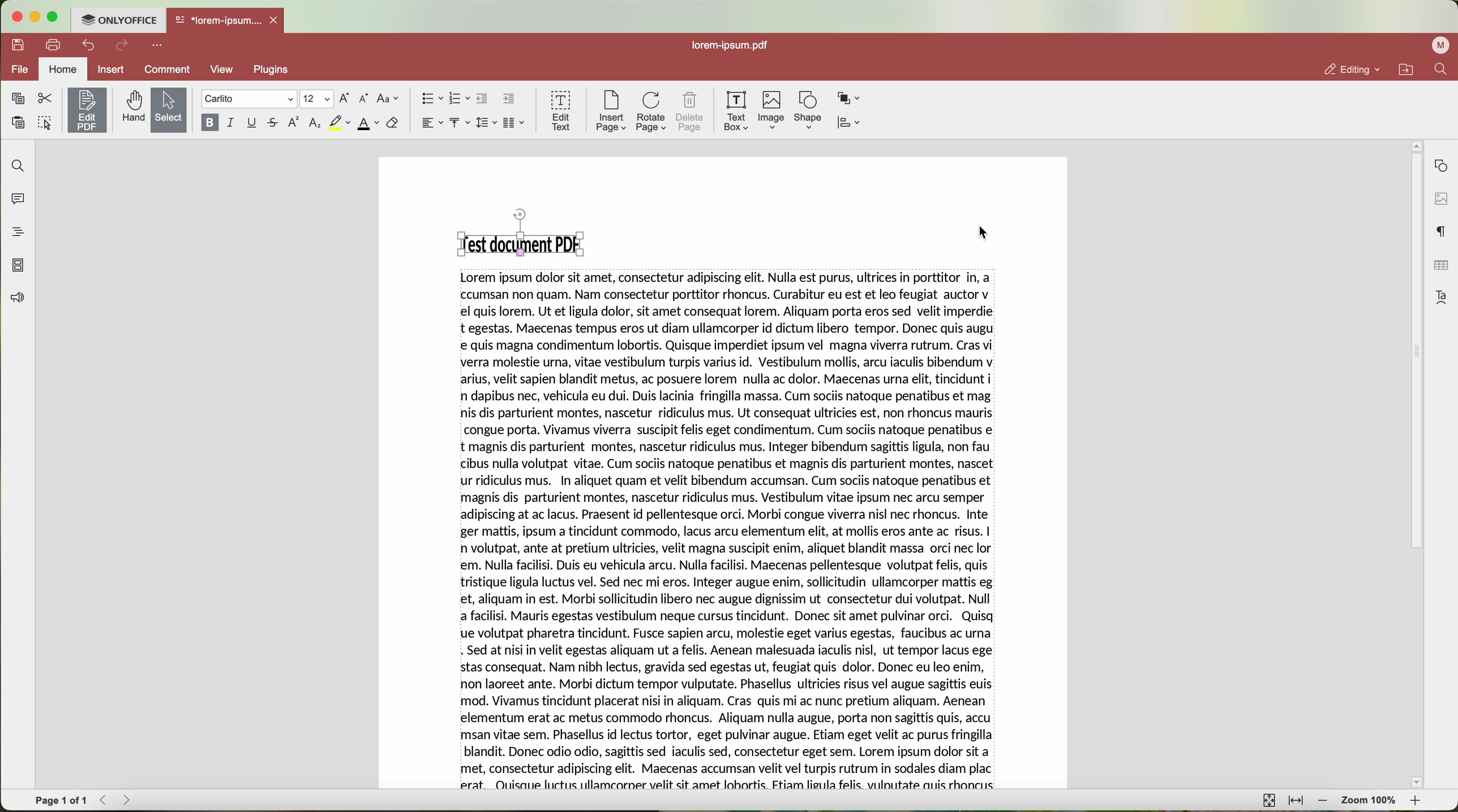 The height and width of the screenshot is (812, 1458). I want to click on undo, so click(87, 46).